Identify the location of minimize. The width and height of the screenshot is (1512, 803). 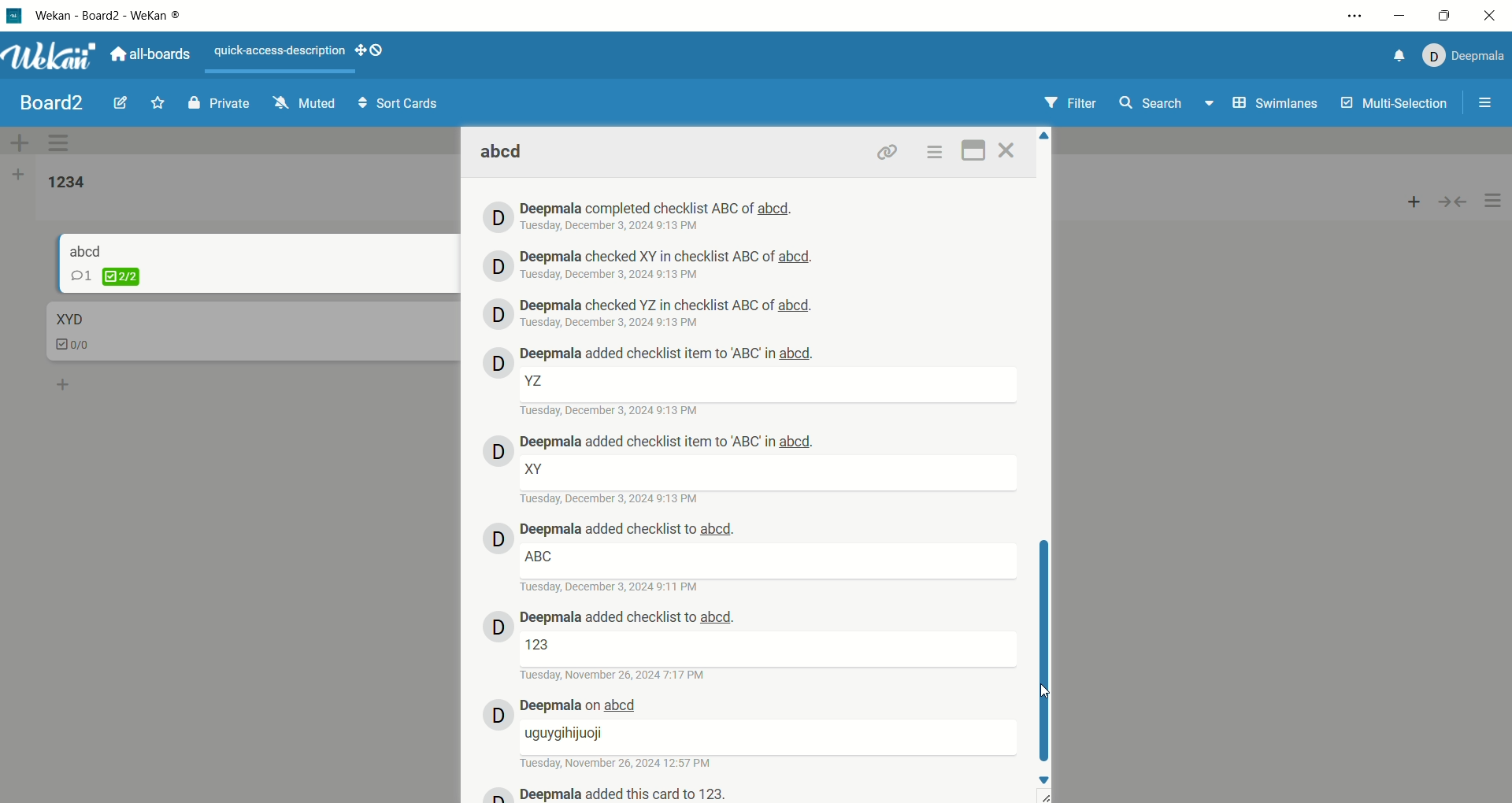
(1400, 17).